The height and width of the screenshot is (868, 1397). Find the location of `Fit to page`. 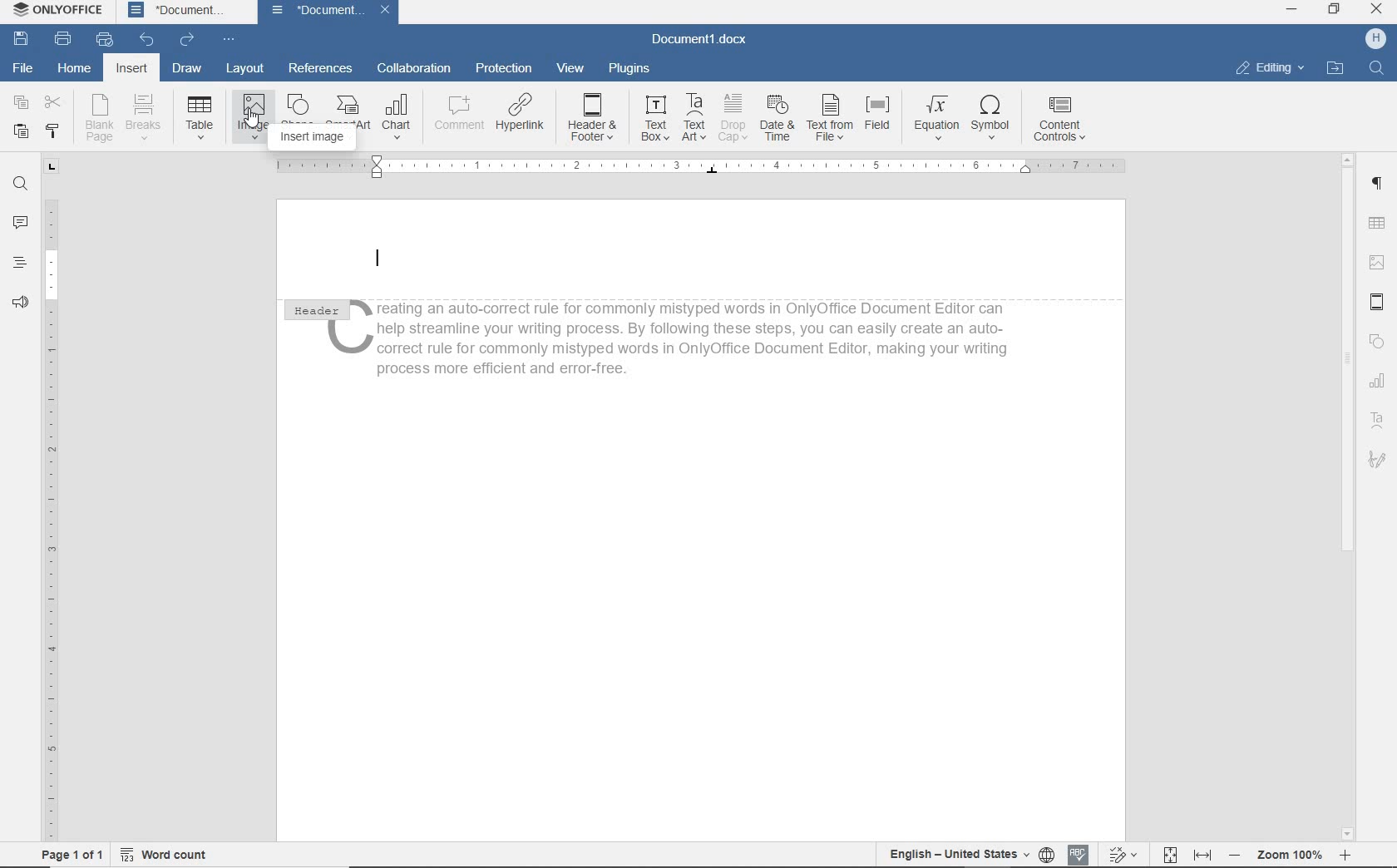

Fit to page is located at coordinates (1168, 854).